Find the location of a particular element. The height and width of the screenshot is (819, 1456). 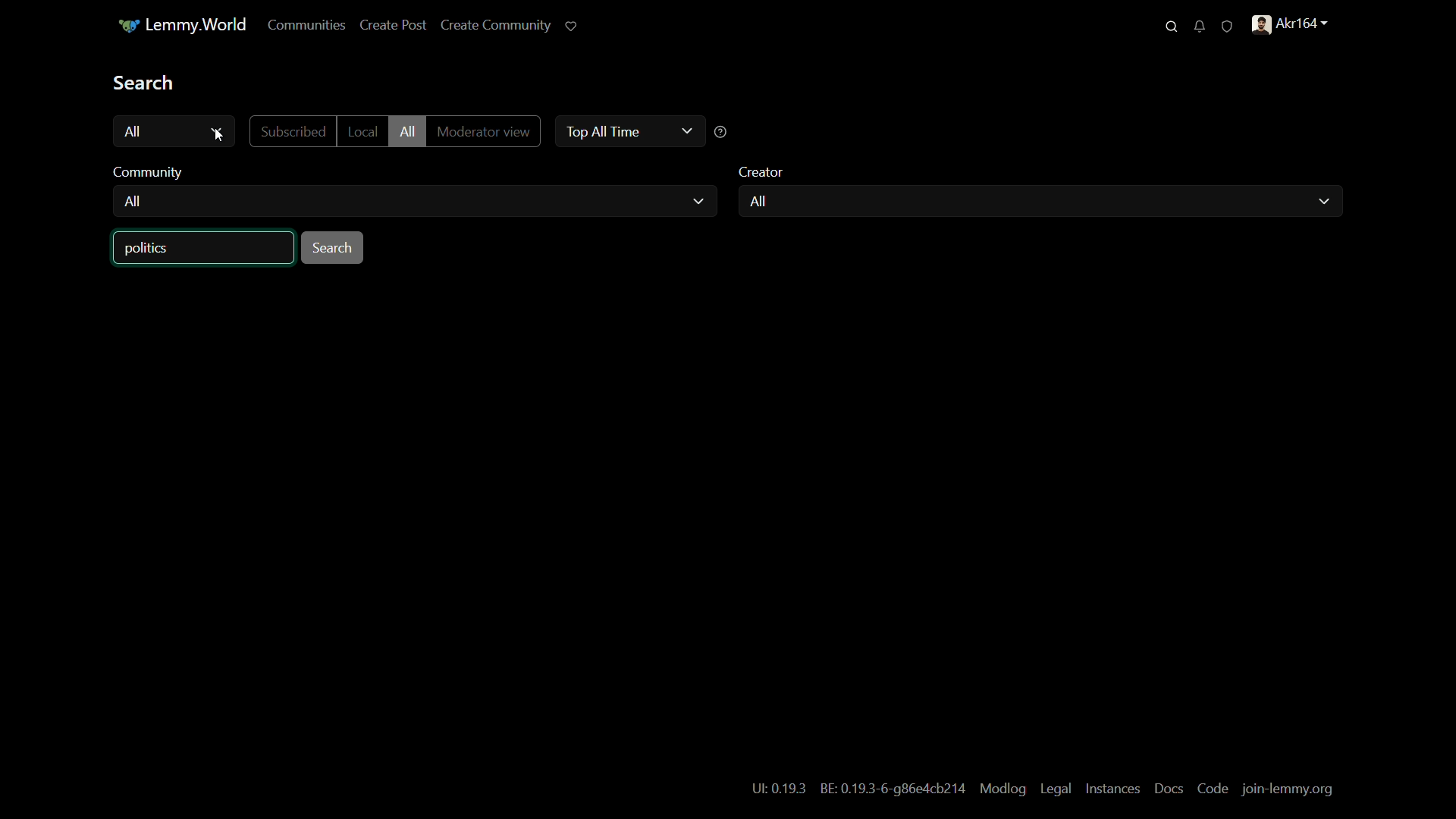

search is located at coordinates (334, 248).